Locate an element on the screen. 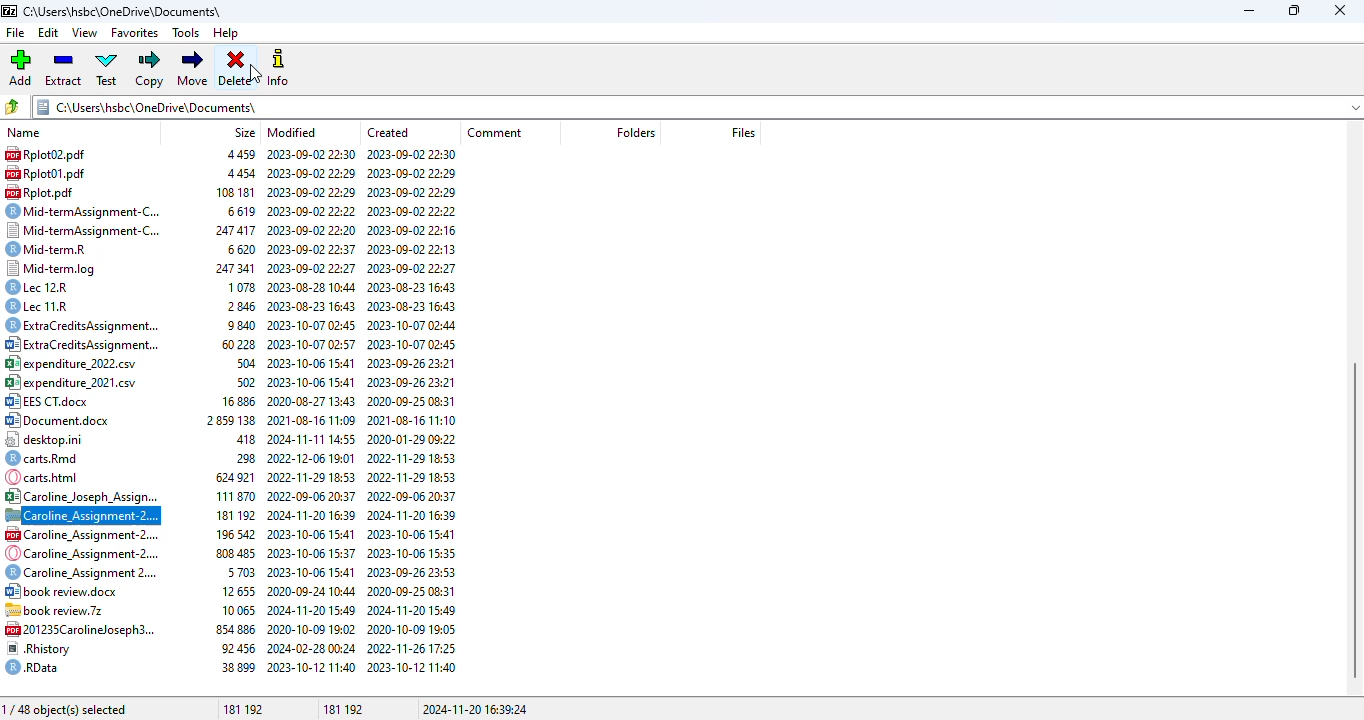  2004-11-20 15:49 is located at coordinates (410, 609).